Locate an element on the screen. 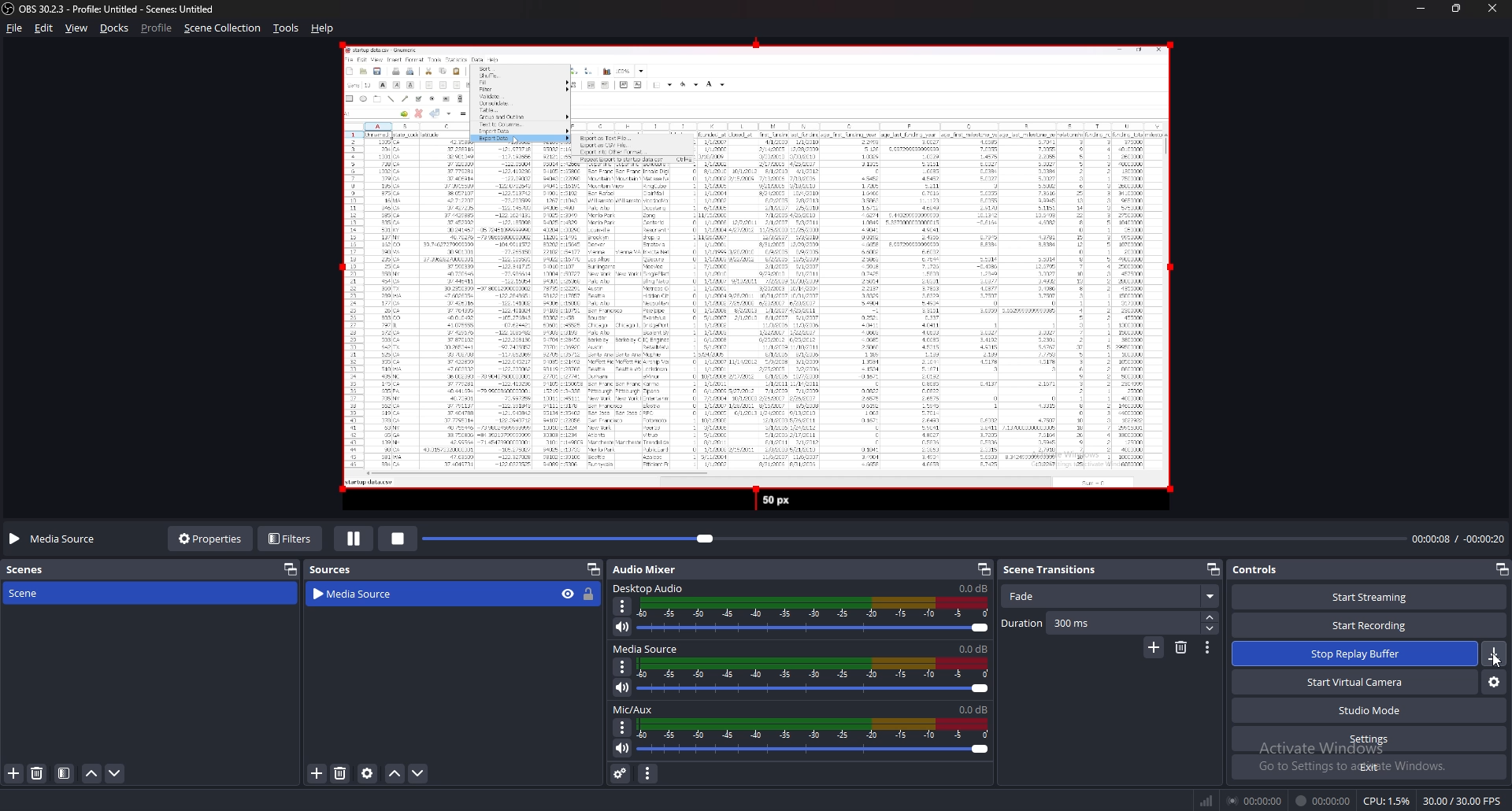 This screenshot has width=1512, height=811. pop out is located at coordinates (593, 569).